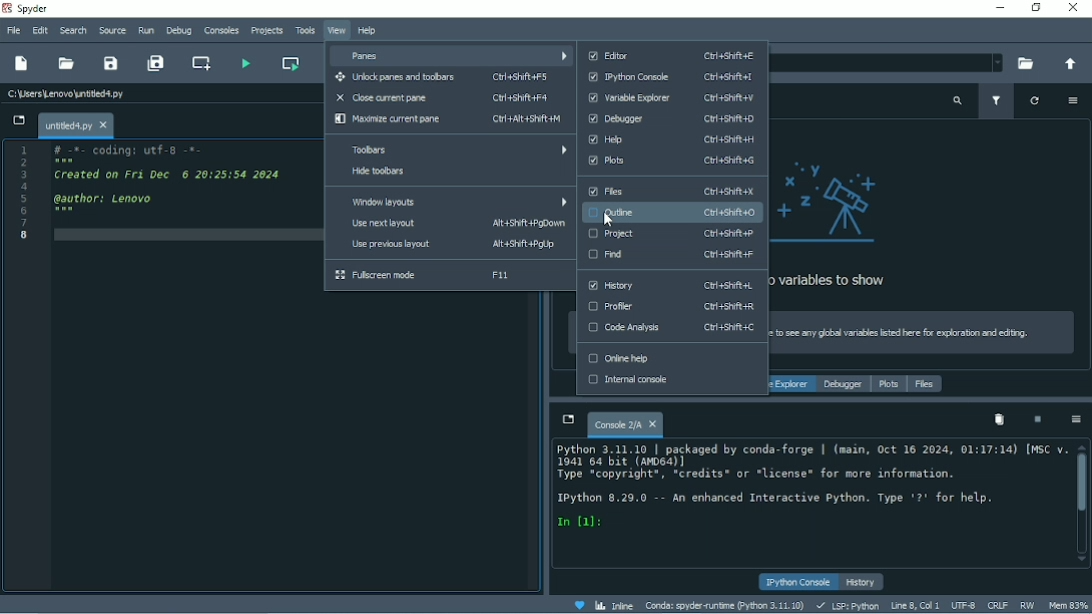  What do you see at coordinates (246, 62) in the screenshot?
I see `Run file` at bounding box center [246, 62].